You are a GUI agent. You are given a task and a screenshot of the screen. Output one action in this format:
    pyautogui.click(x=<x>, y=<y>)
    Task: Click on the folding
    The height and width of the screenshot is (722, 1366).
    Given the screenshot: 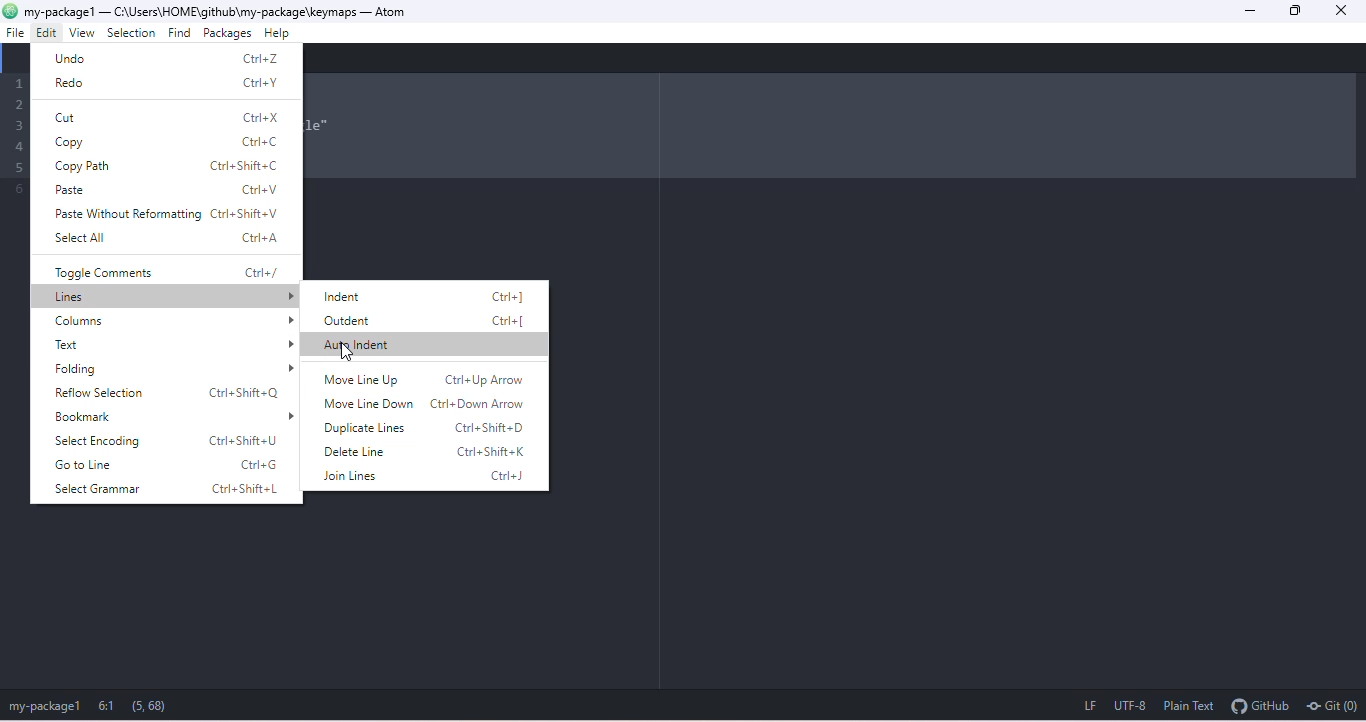 What is the action you would take?
    pyautogui.click(x=171, y=369)
    